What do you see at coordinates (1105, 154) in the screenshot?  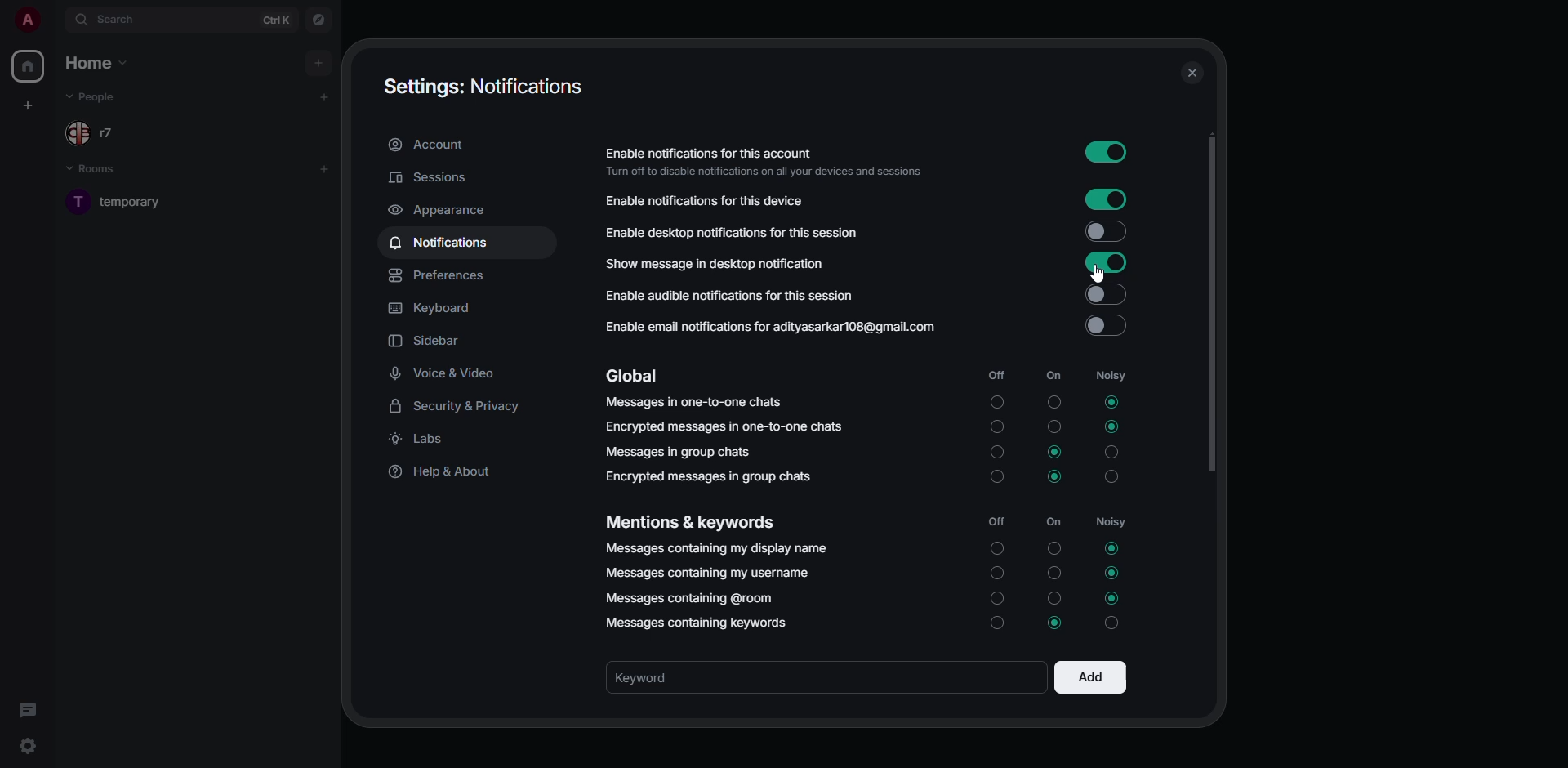 I see `enabled` at bounding box center [1105, 154].